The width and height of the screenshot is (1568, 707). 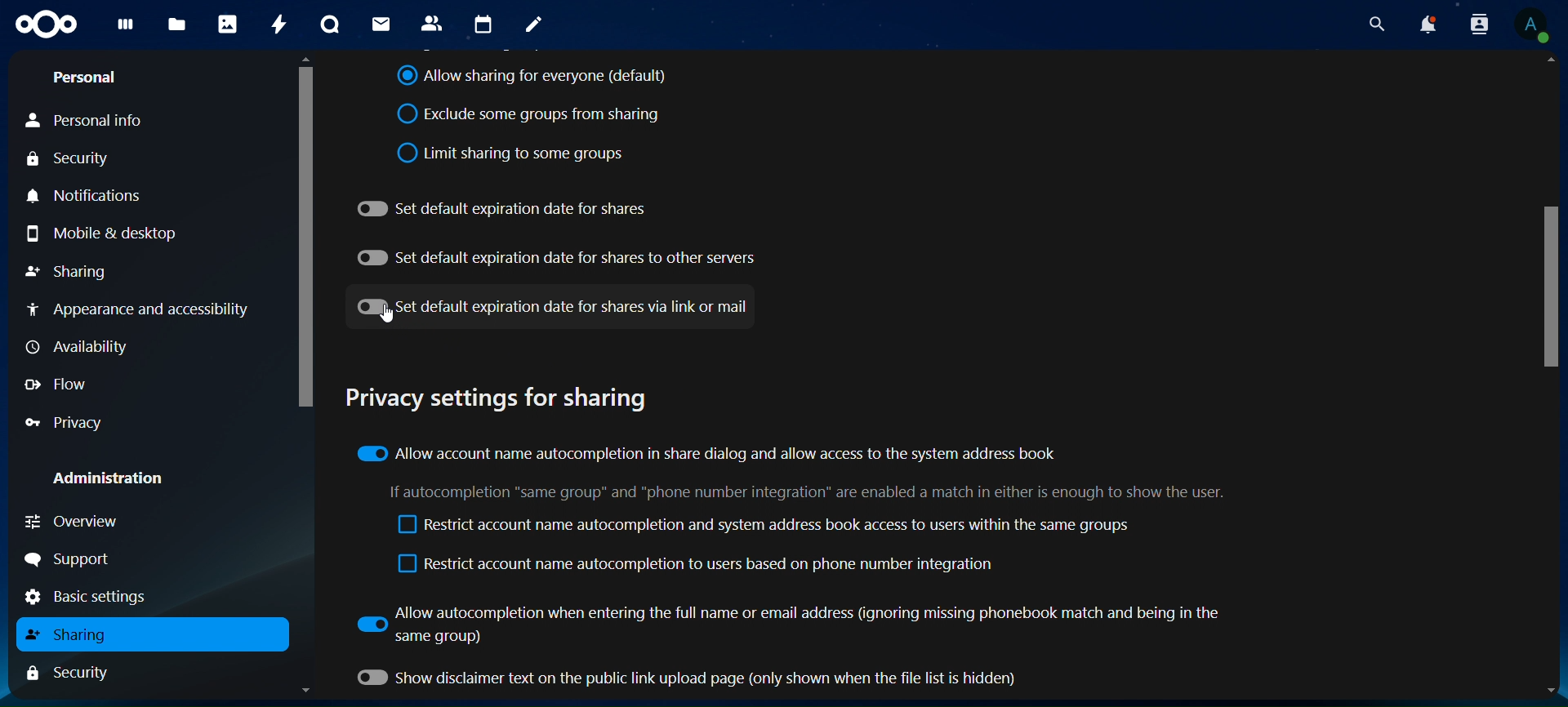 What do you see at coordinates (101, 596) in the screenshot?
I see `basic settings` at bounding box center [101, 596].